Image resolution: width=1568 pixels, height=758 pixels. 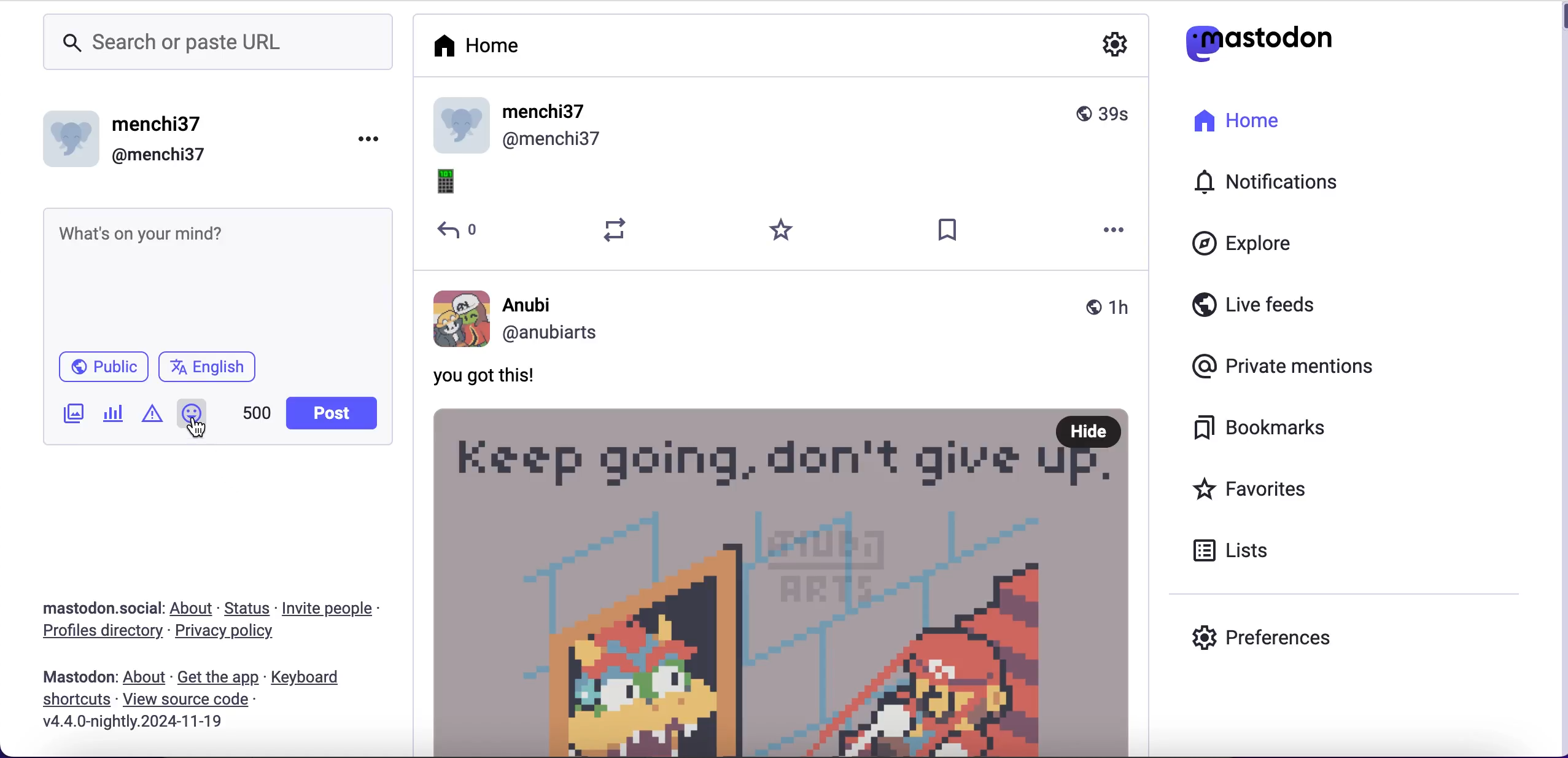 I want to click on menchi37 @menchi37, so click(x=179, y=138).